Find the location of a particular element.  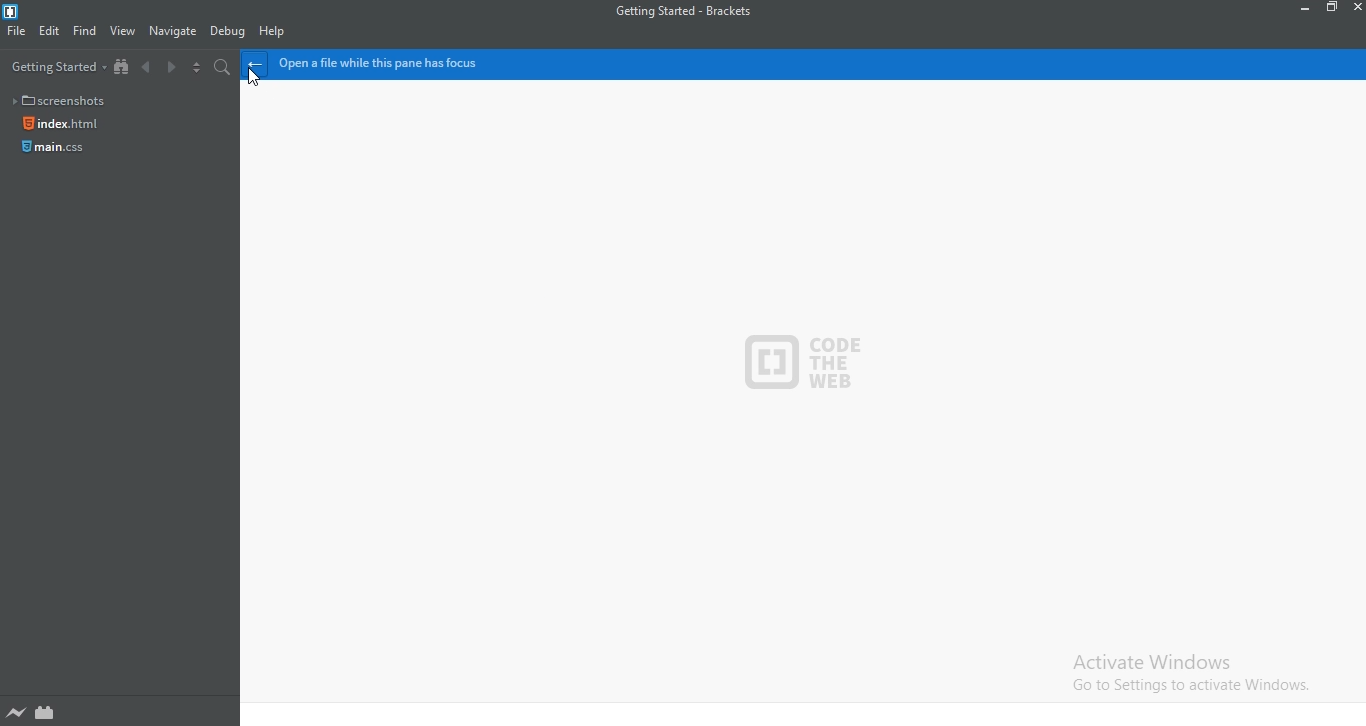

Getting started - Brackets is located at coordinates (700, 11).